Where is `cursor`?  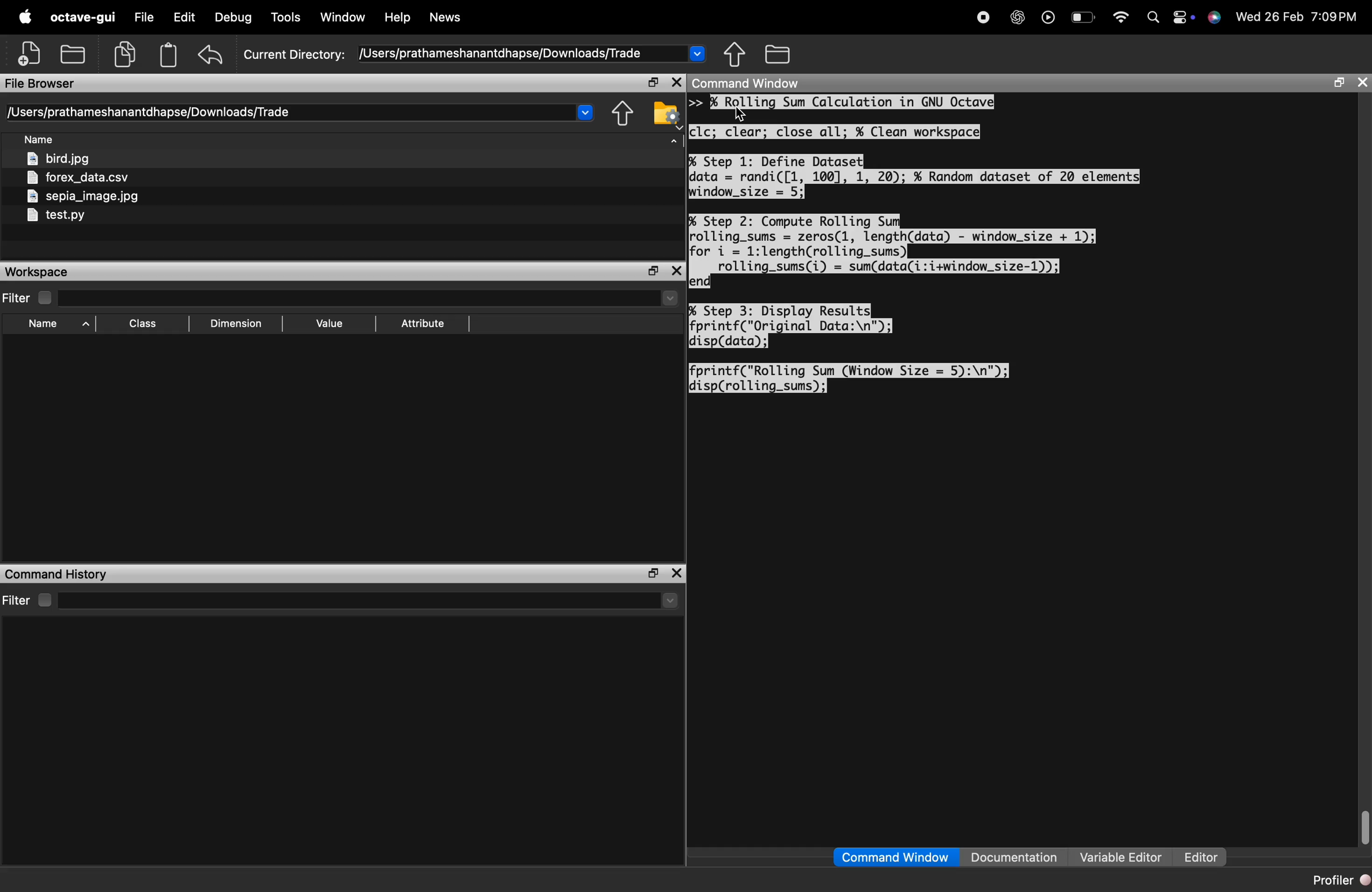 cursor is located at coordinates (741, 115).